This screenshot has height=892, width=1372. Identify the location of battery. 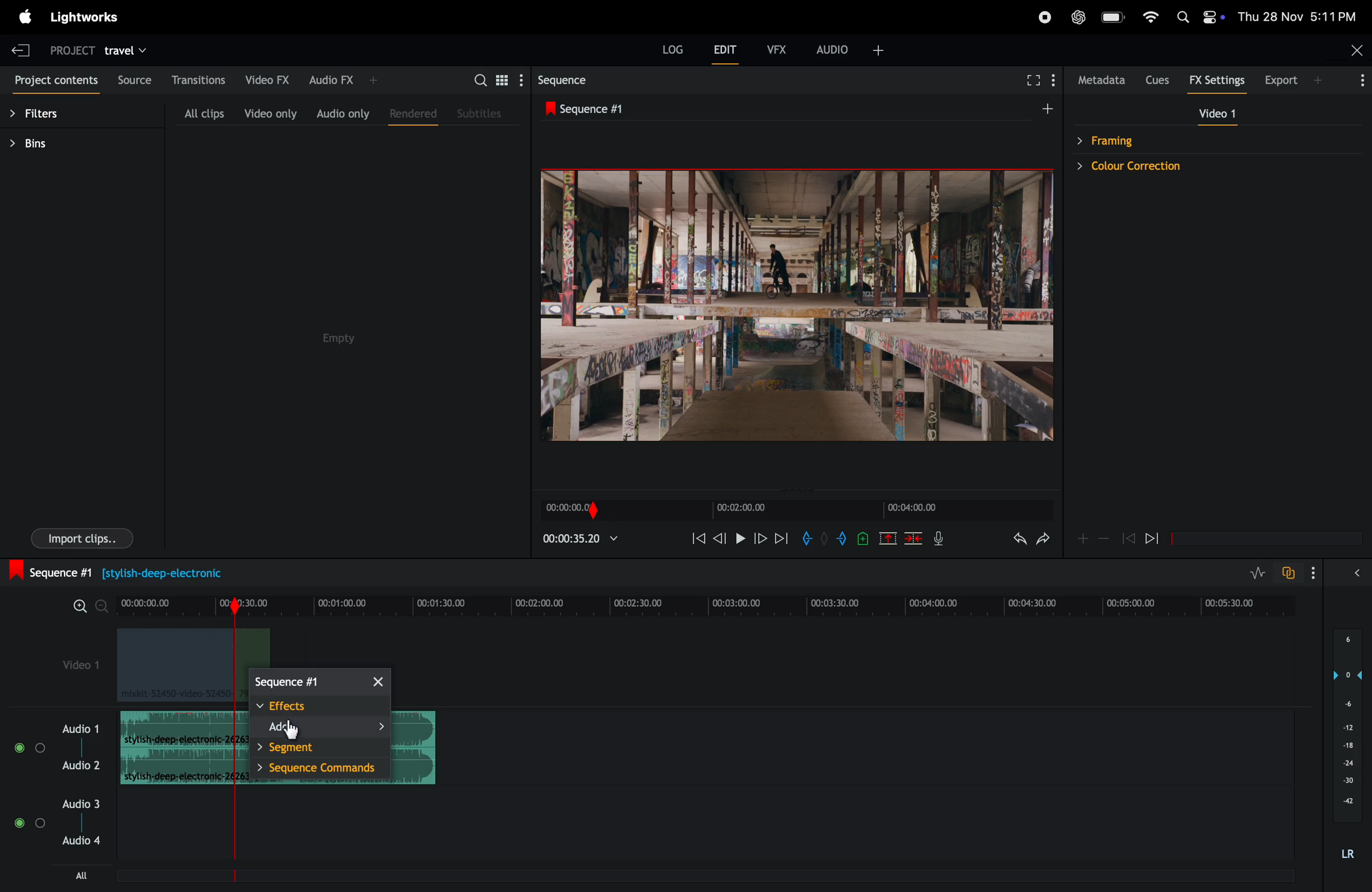
(1114, 16).